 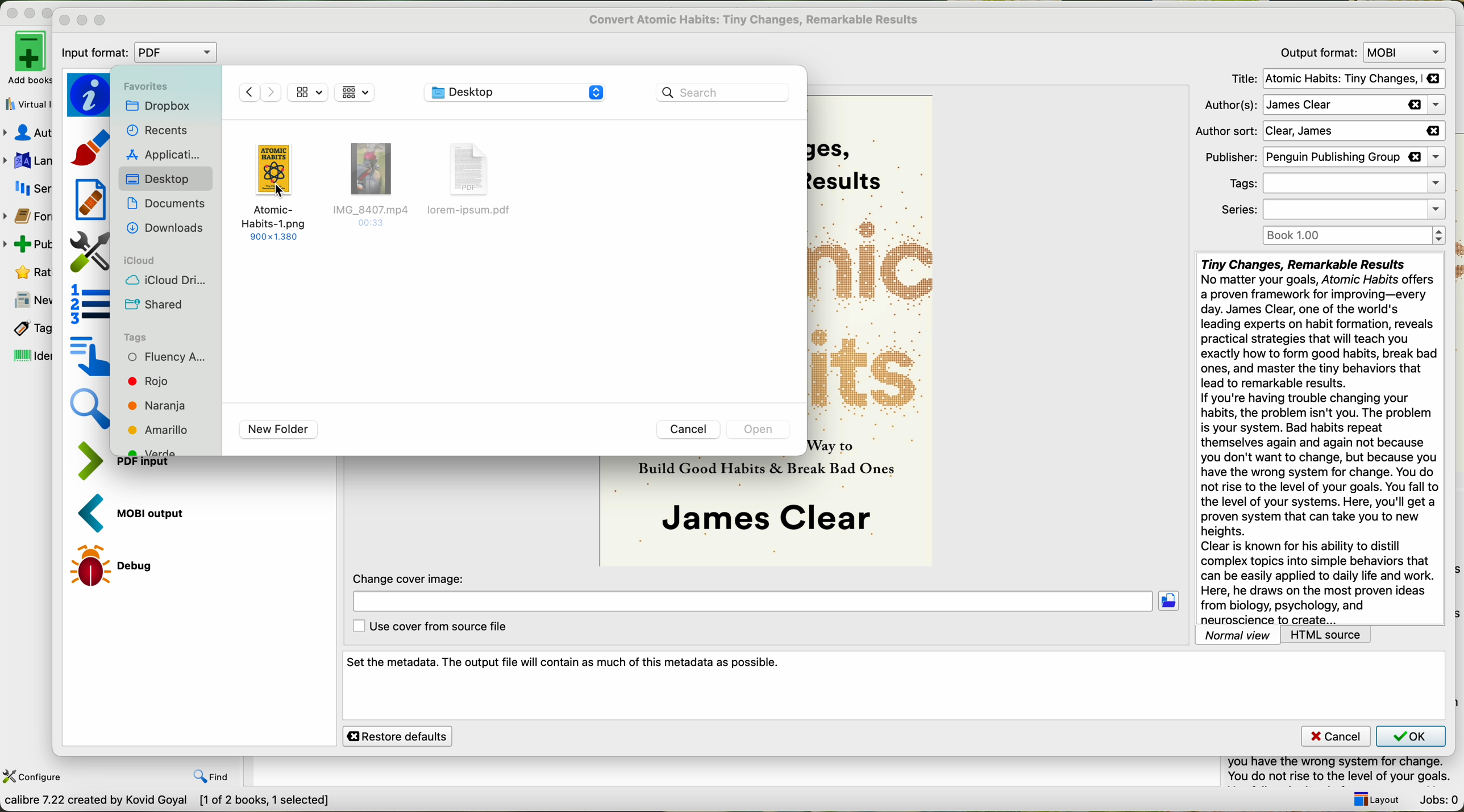 I want to click on find, so click(x=214, y=777).